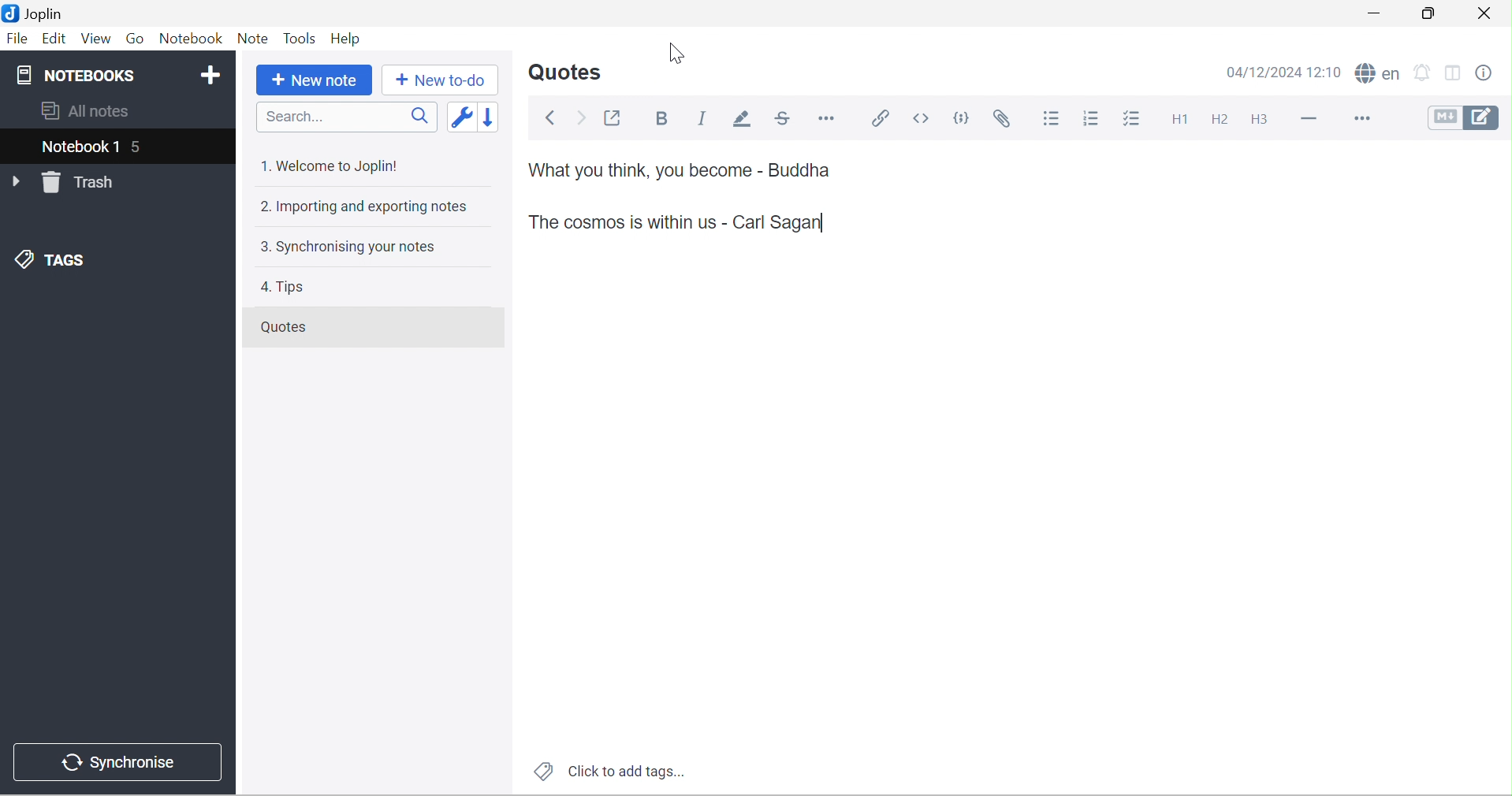  Describe the element at coordinates (86, 111) in the screenshot. I see `All notes` at that location.